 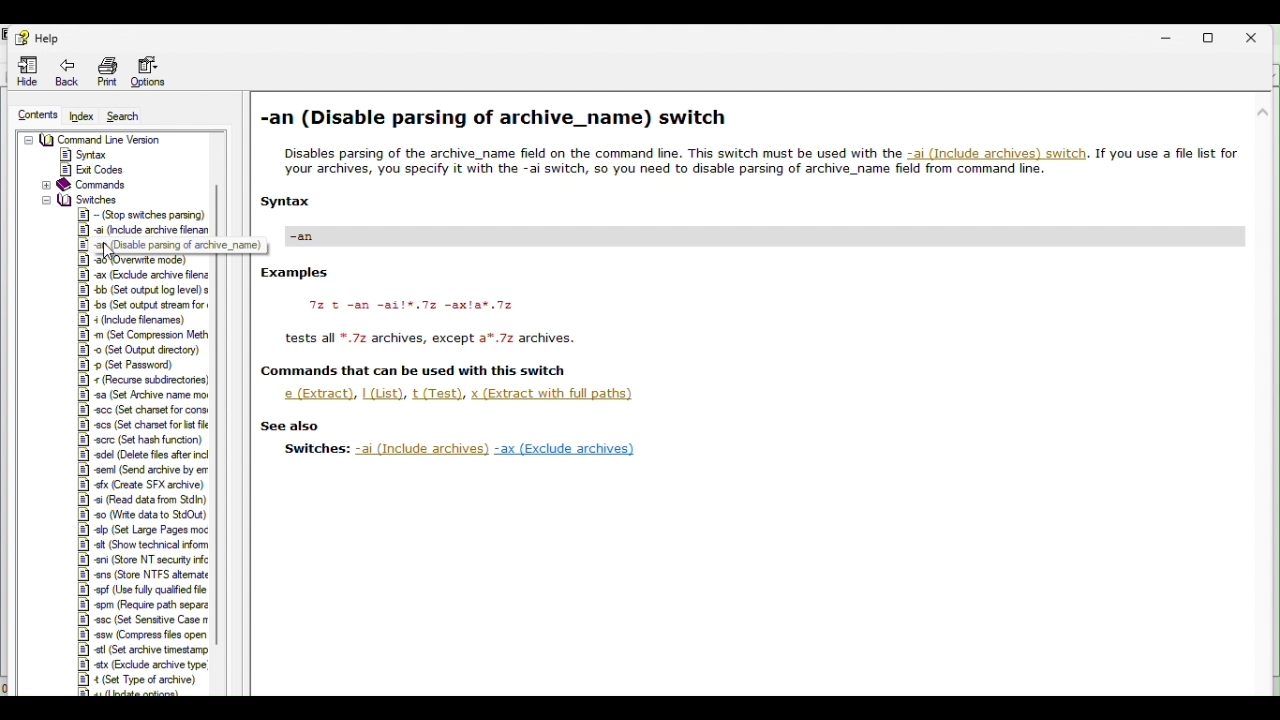 I want to click on Contents, so click(x=35, y=112).